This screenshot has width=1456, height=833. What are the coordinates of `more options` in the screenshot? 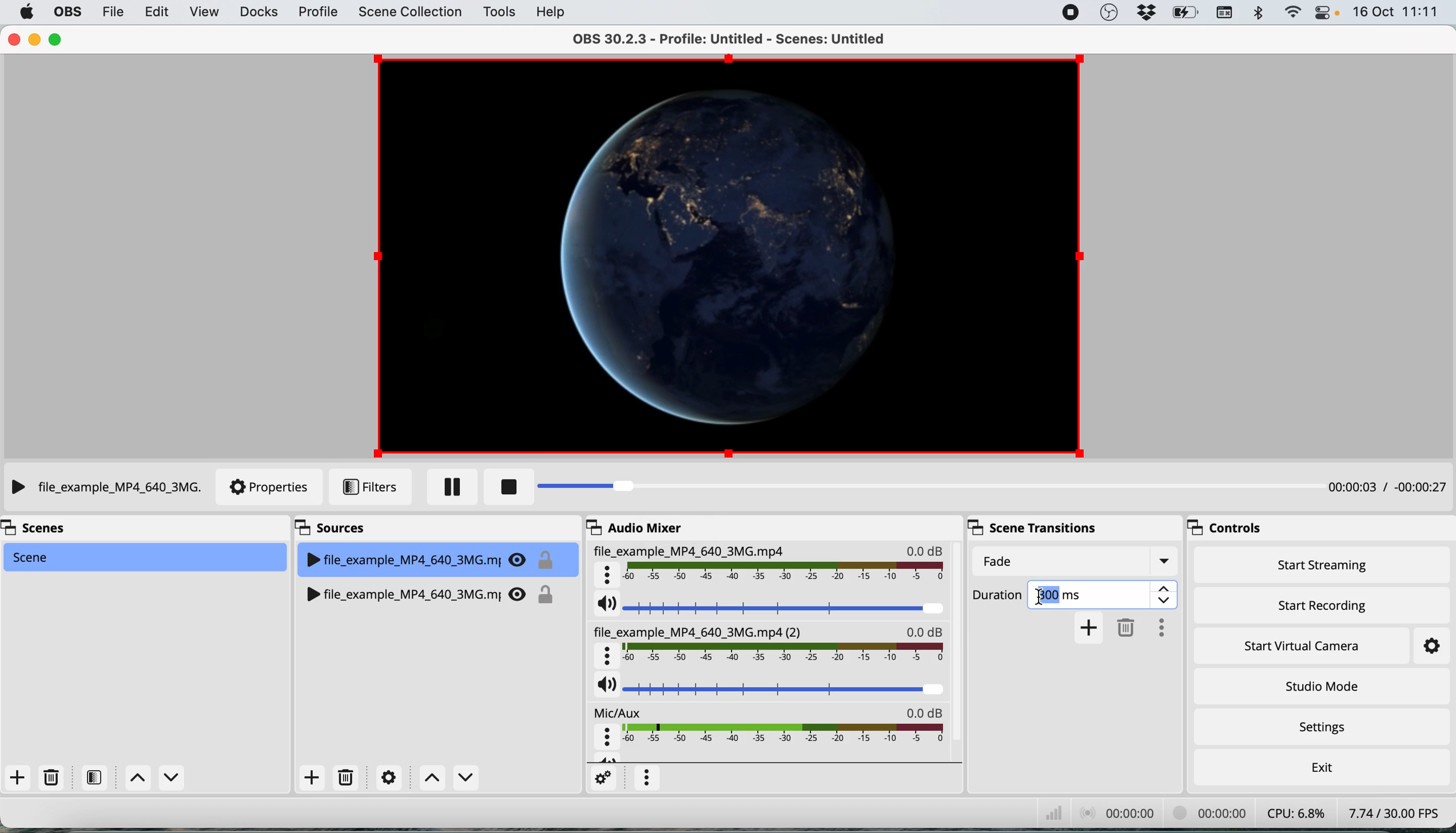 It's located at (647, 778).